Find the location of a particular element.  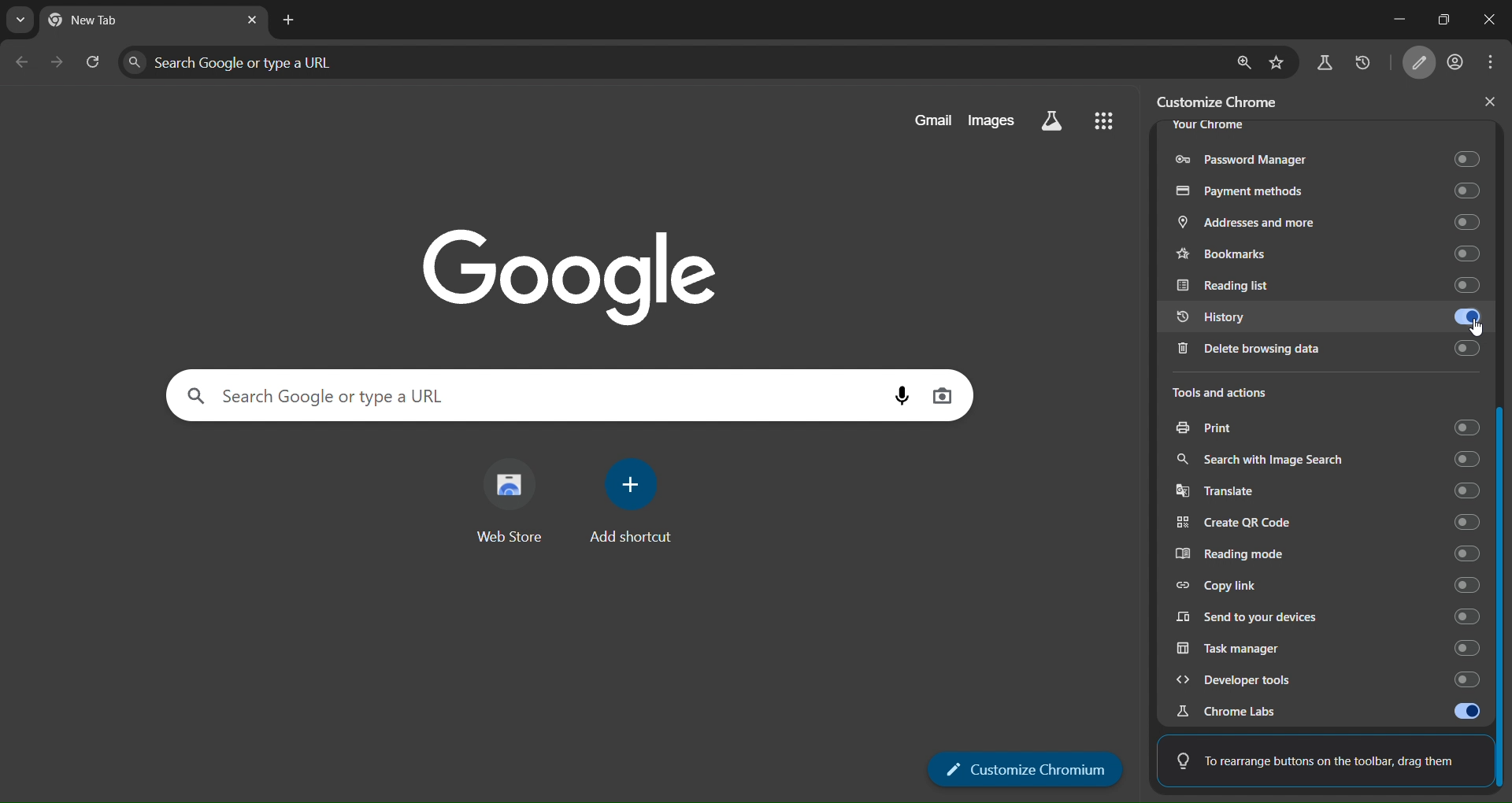

tools and actions is located at coordinates (1235, 394).